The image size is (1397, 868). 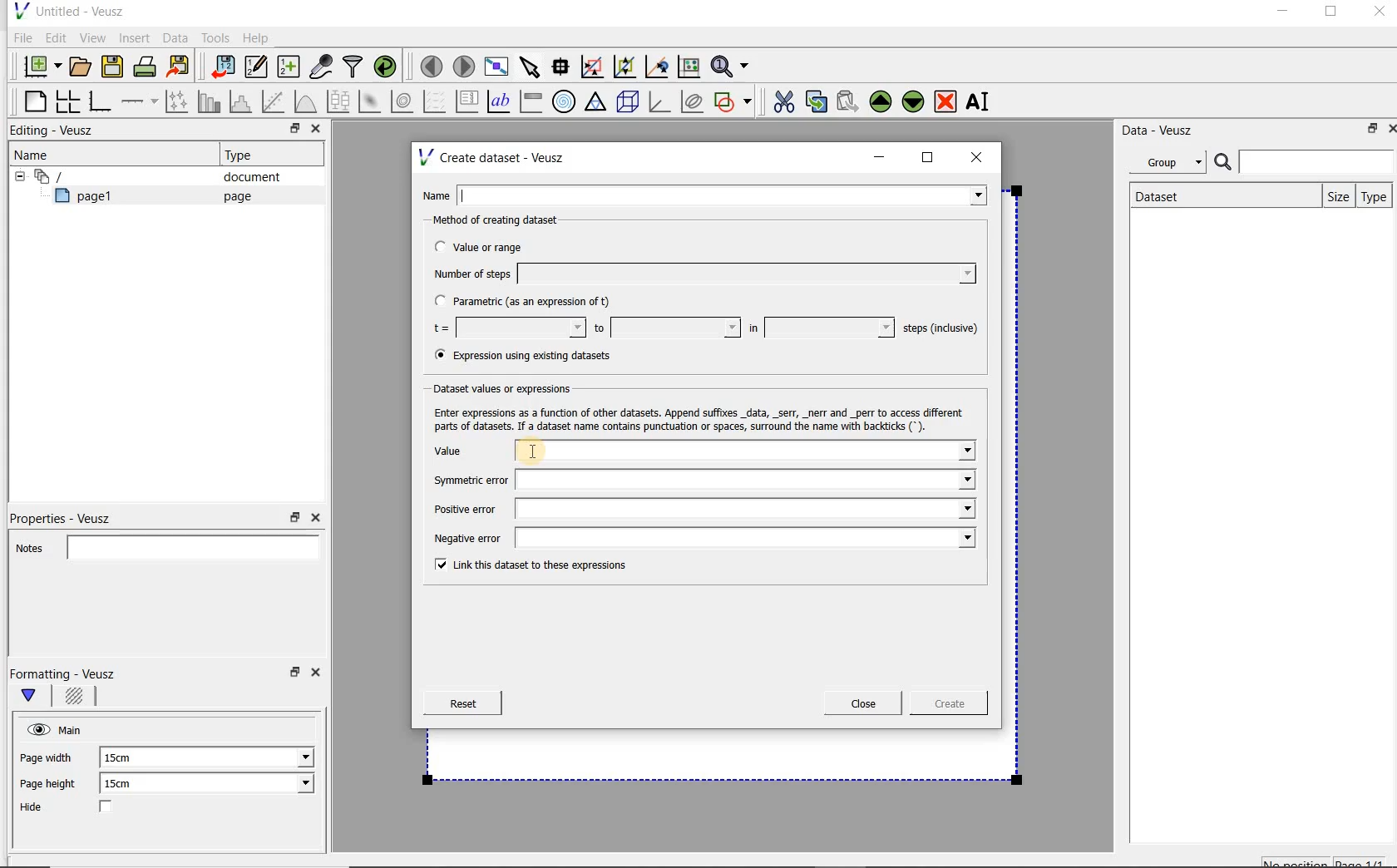 I want to click on View, so click(x=92, y=36).